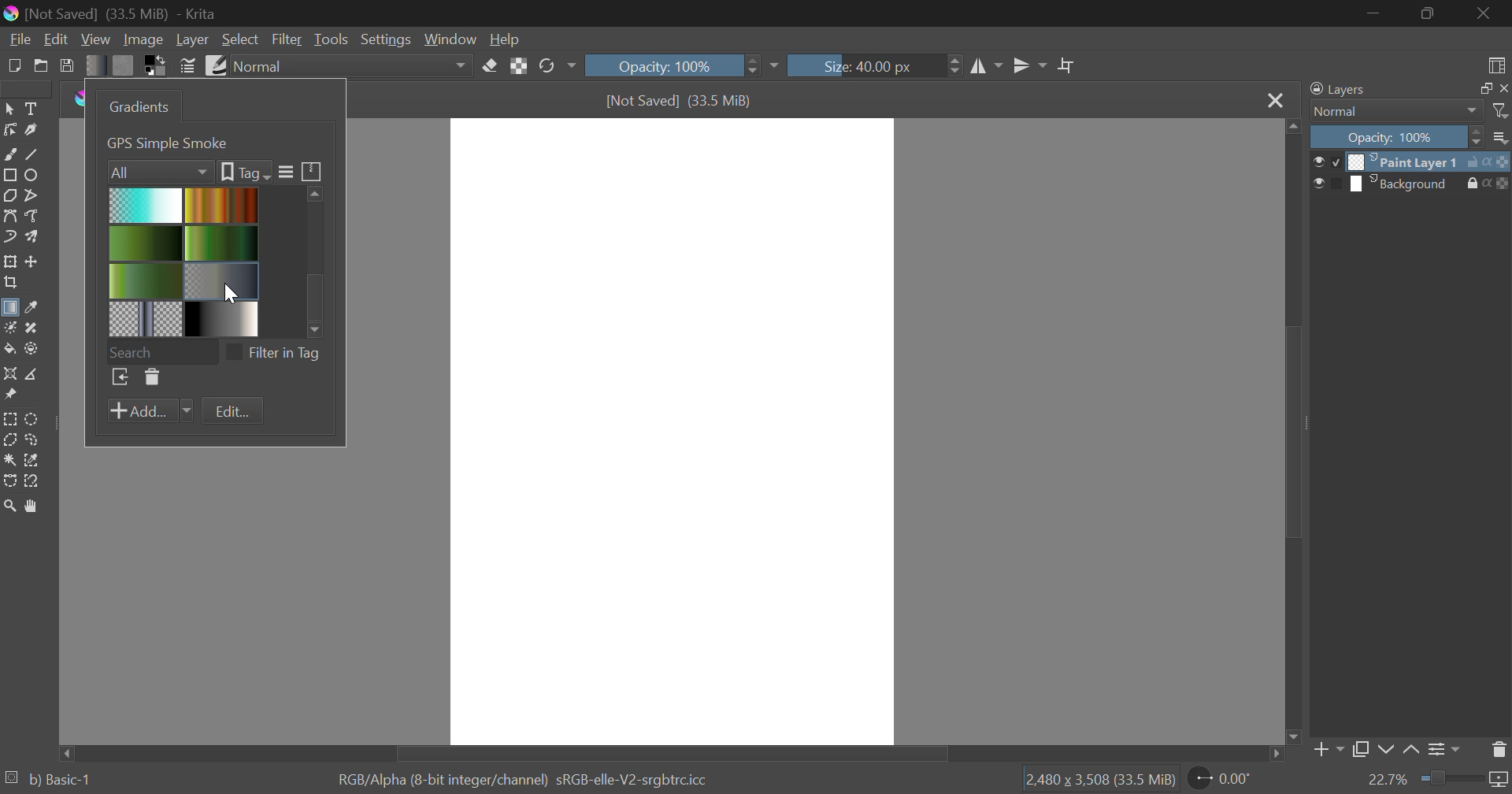 The width and height of the screenshot is (1512, 794). Describe the element at coordinates (32, 461) in the screenshot. I see `Similar Color Selection` at that location.